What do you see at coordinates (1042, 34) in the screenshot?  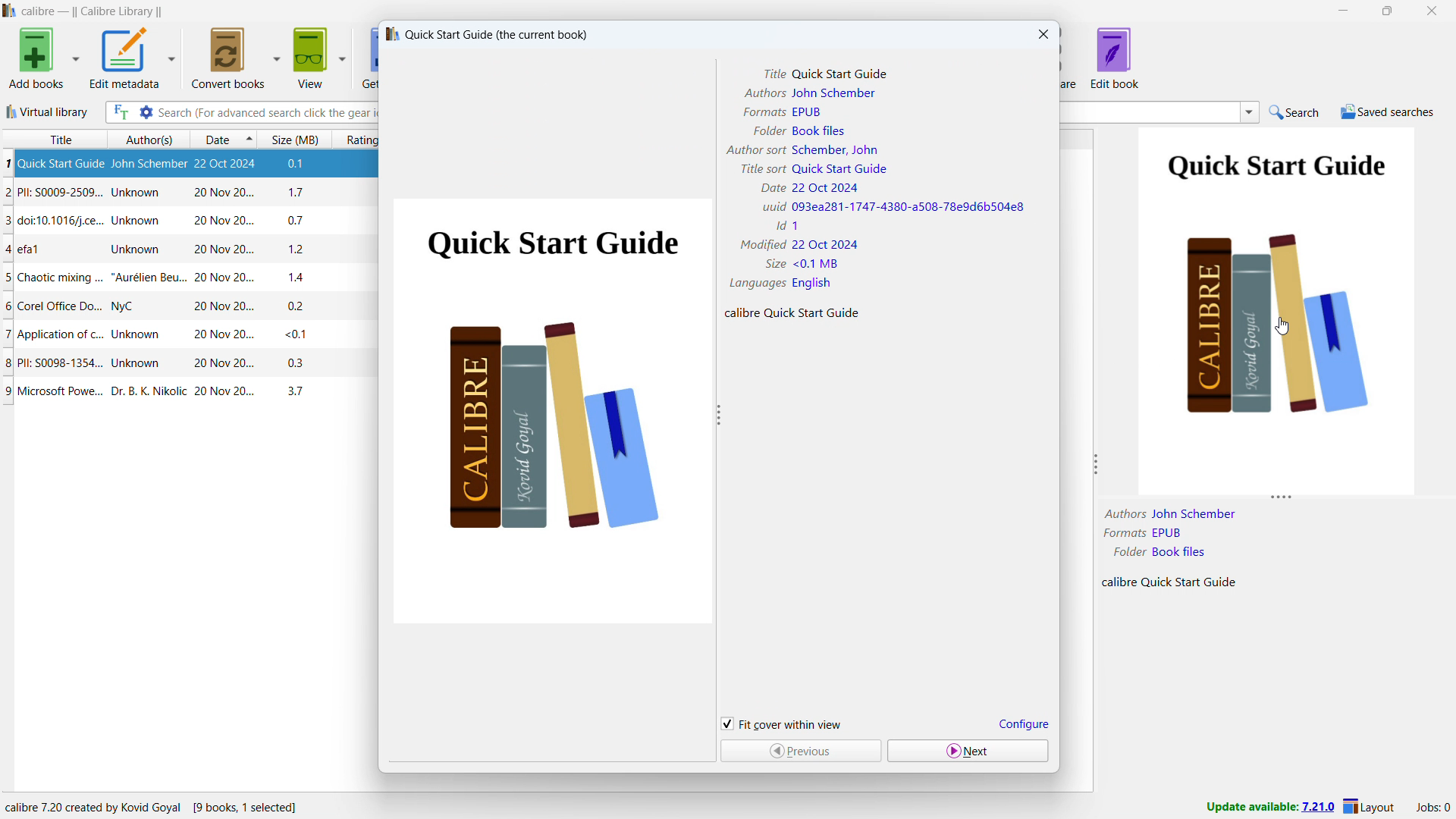 I see `close` at bounding box center [1042, 34].